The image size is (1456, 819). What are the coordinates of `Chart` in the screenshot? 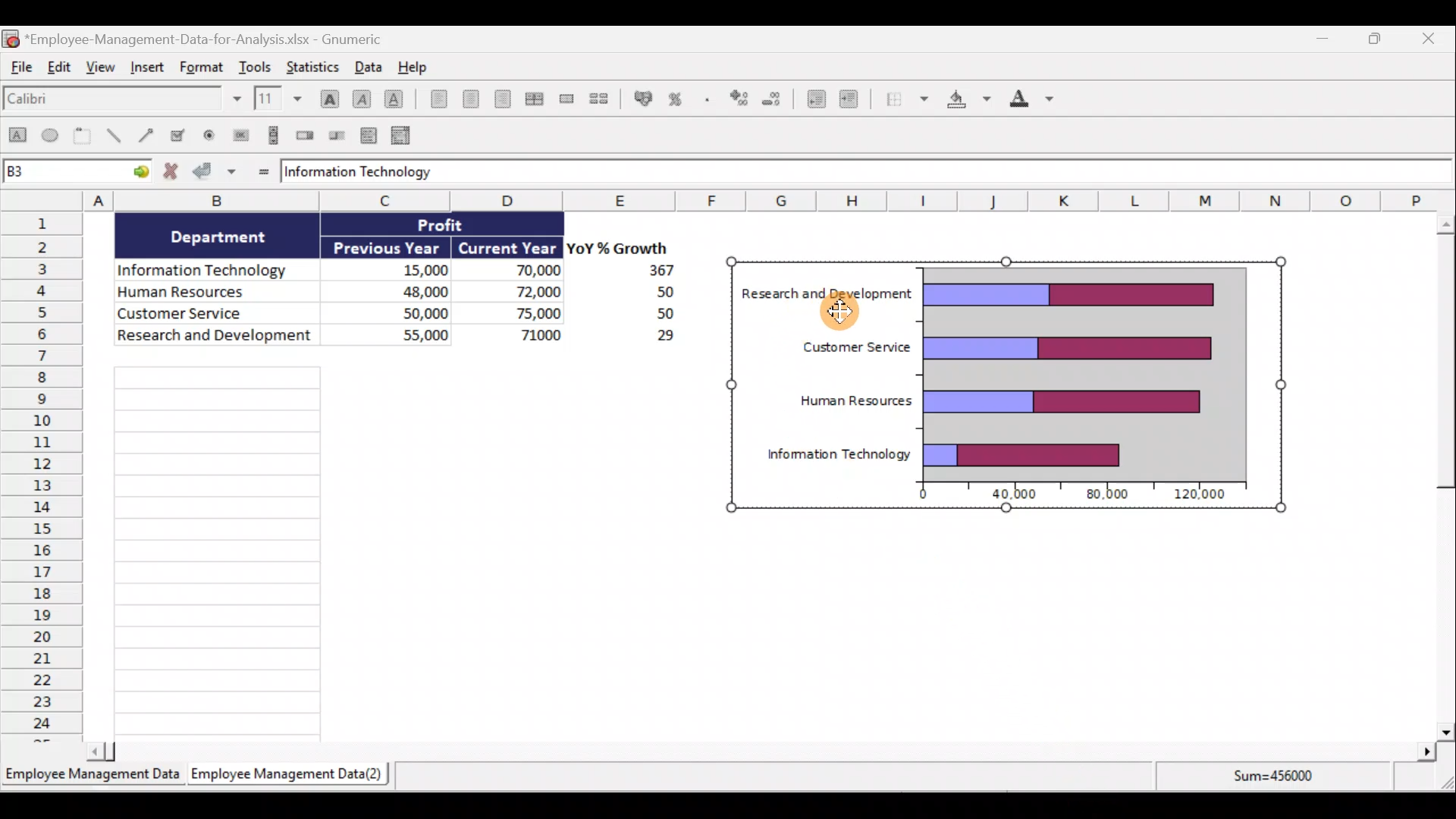 It's located at (1003, 385).